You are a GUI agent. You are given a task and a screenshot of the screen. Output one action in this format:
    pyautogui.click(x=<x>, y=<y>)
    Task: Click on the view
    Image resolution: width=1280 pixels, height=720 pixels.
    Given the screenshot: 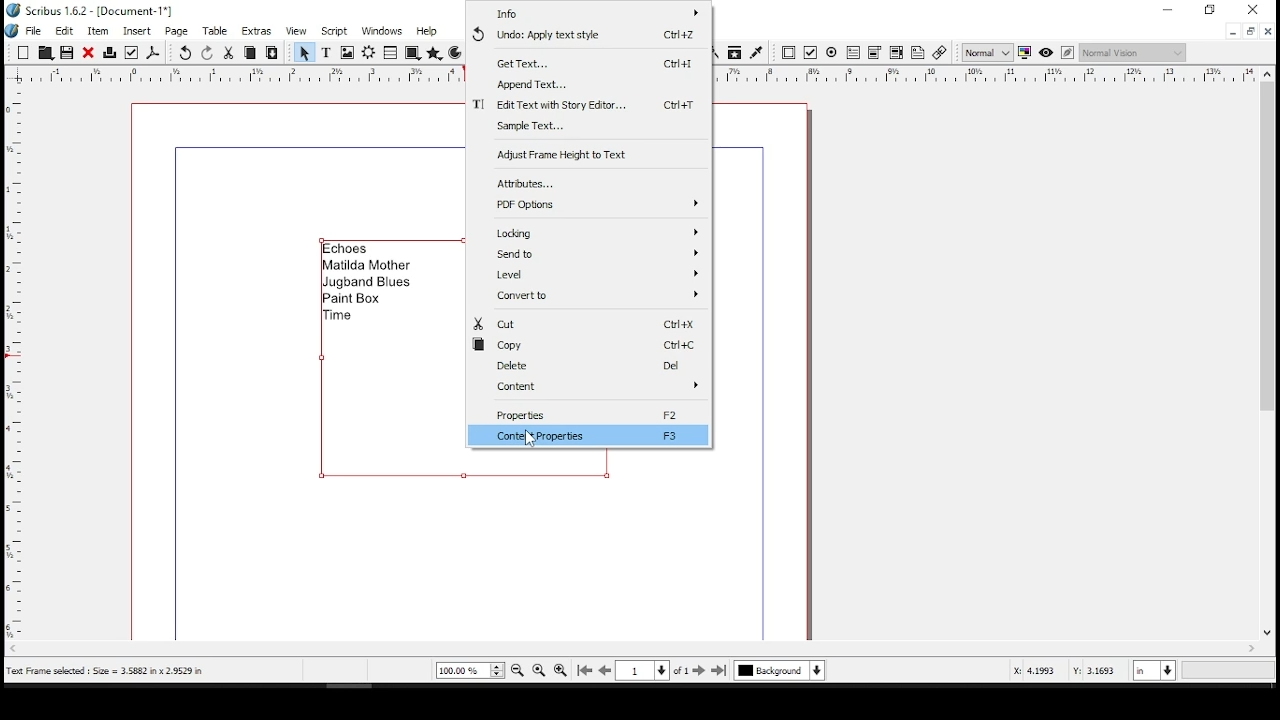 What is the action you would take?
    pyautogui.click(x=296, y=32)
    